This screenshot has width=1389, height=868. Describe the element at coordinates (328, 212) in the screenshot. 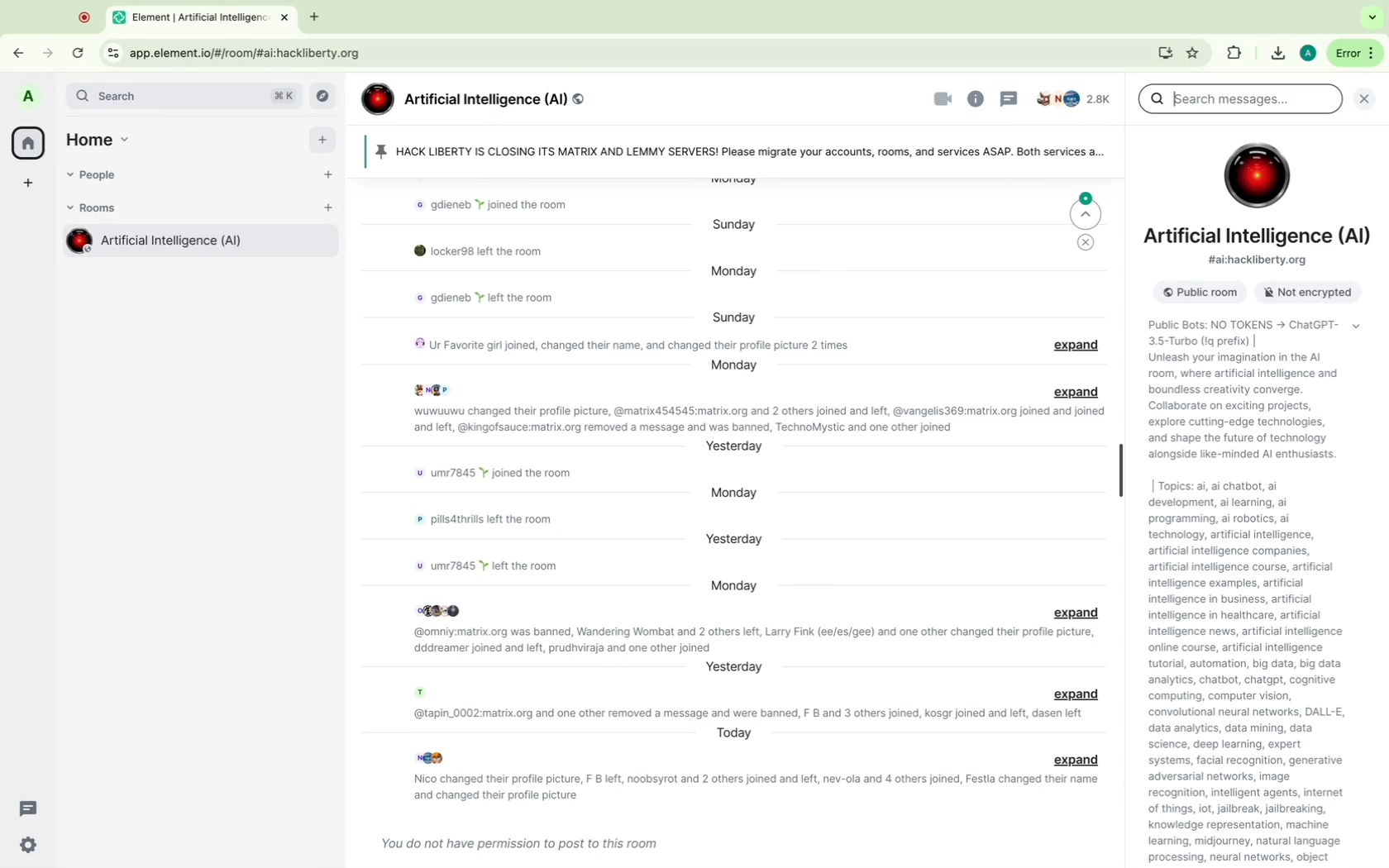

I see `add room` at that location.